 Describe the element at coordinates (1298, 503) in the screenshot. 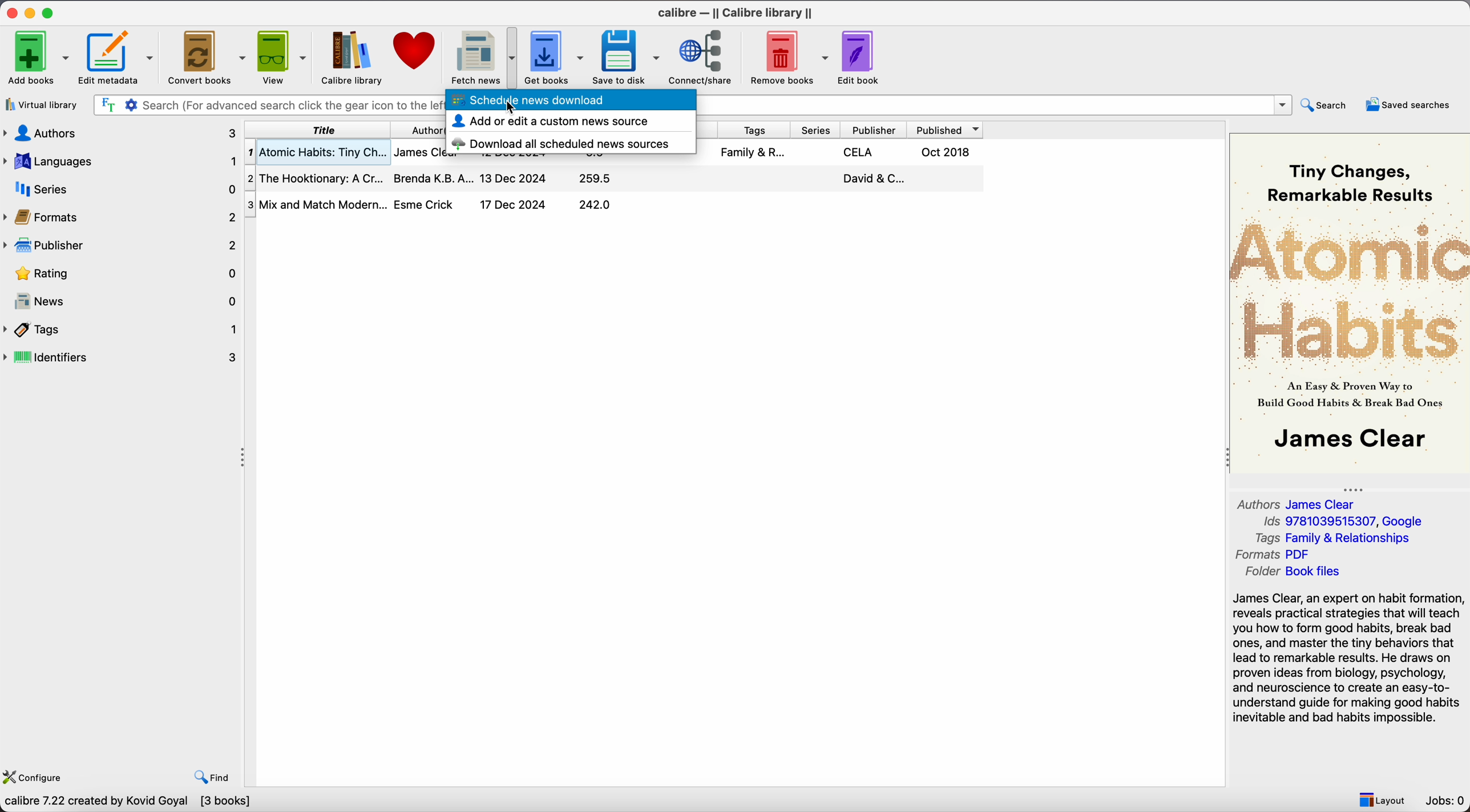

I see `Authors James Clear` at that location.